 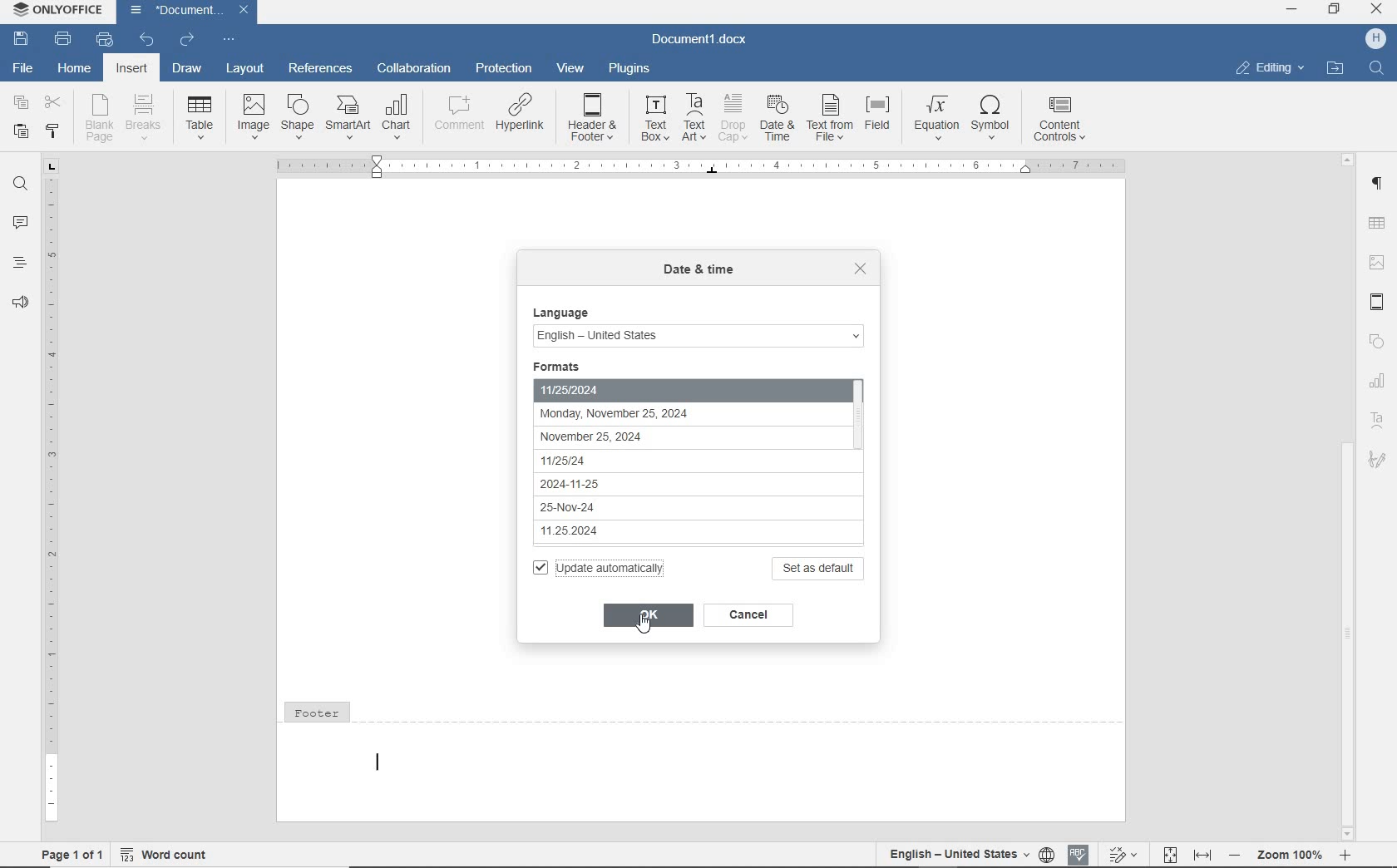 What do you see at coordinates (600, 568) in the screenshot?
I see `update automatically` at bounding box center [600, 568].